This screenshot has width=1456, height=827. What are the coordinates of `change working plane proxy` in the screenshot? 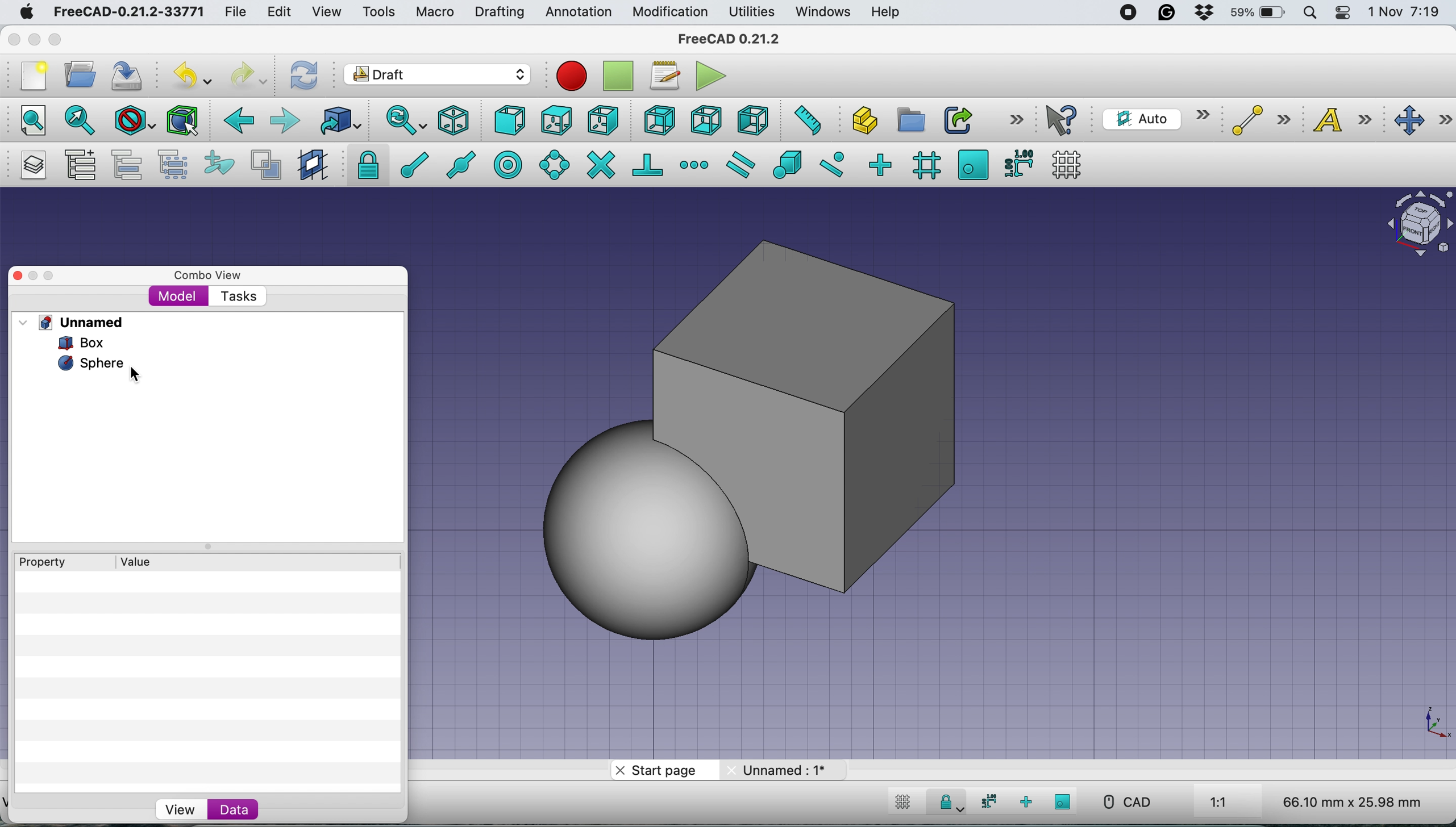 It's located at (311, 166).